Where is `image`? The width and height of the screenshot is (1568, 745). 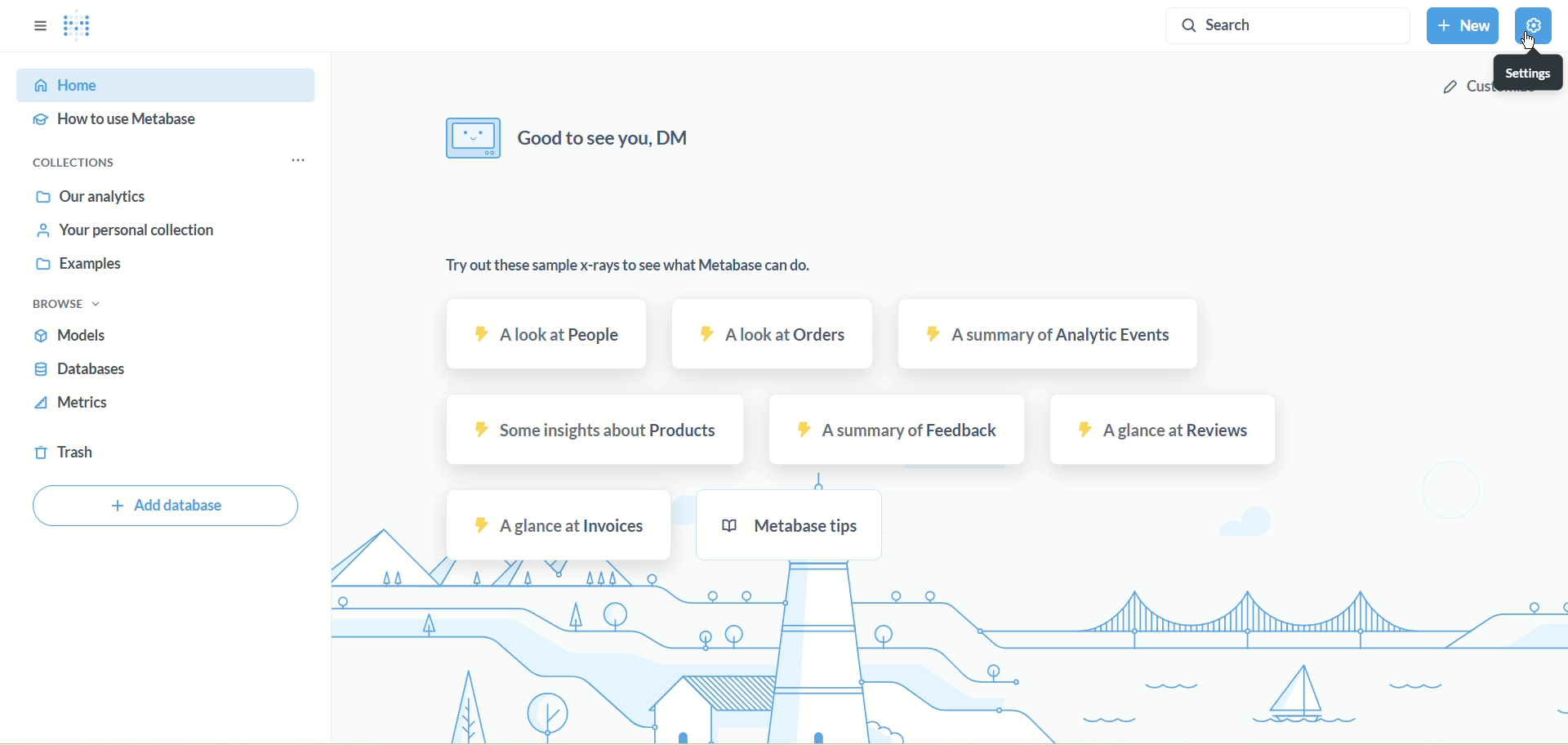 image is located at coordinates (471, 136).